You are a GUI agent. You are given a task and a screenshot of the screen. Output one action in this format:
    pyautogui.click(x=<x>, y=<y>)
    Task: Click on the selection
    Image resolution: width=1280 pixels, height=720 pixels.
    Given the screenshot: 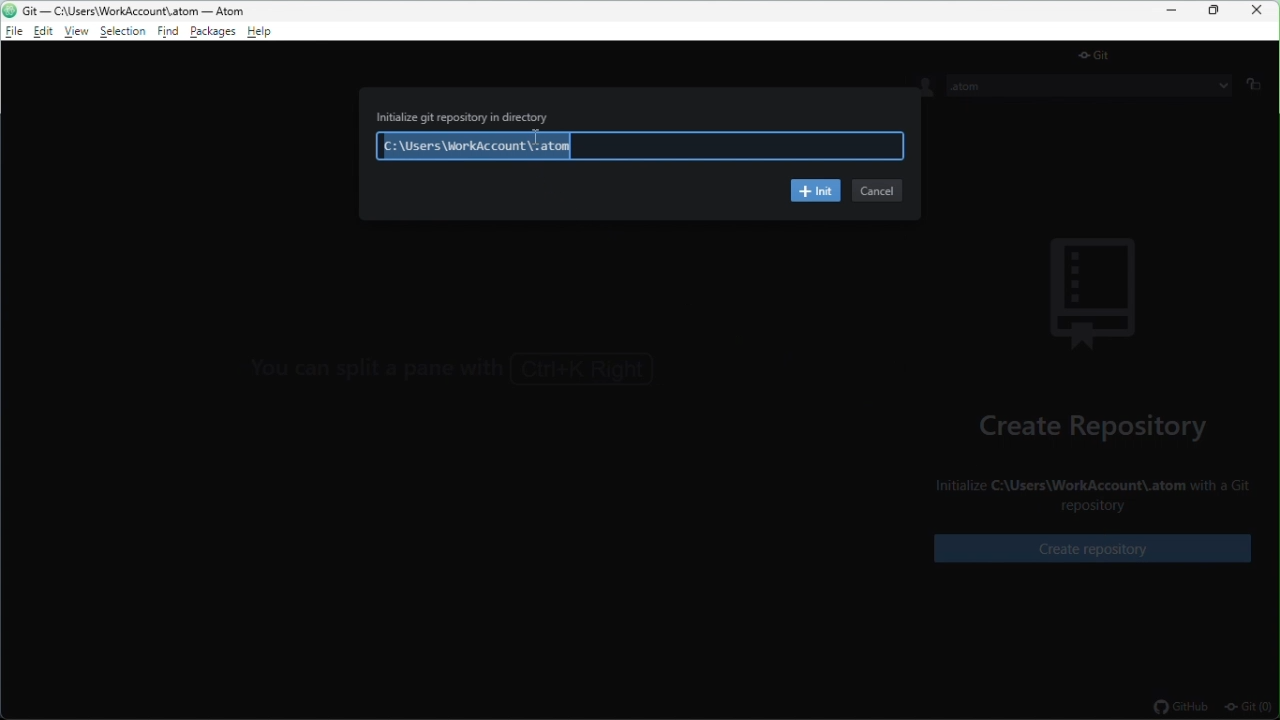 What is the action you would take?
    pyautogui.click(x=125, y=34)
    